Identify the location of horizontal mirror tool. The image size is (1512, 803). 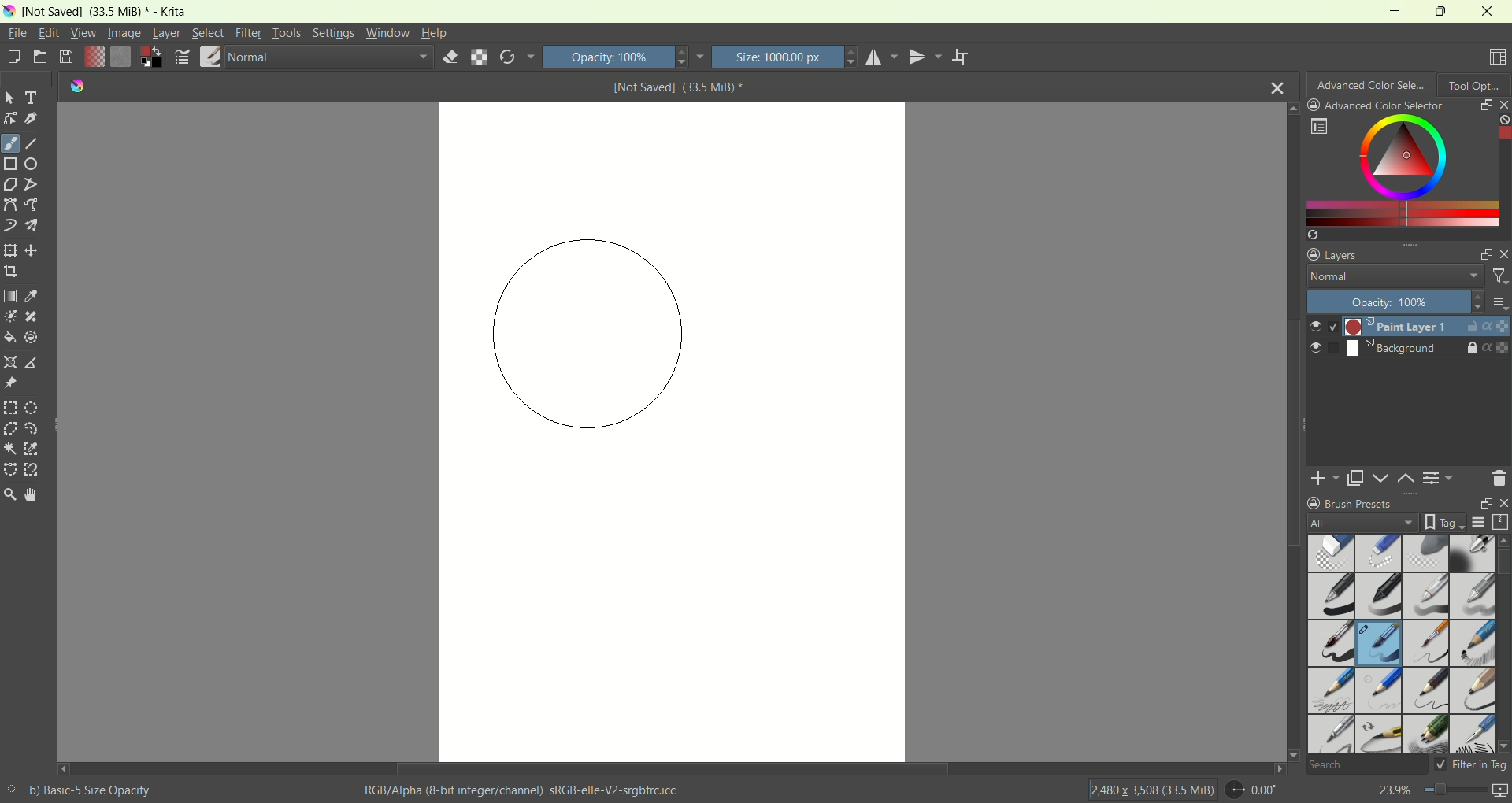
(884, 57).